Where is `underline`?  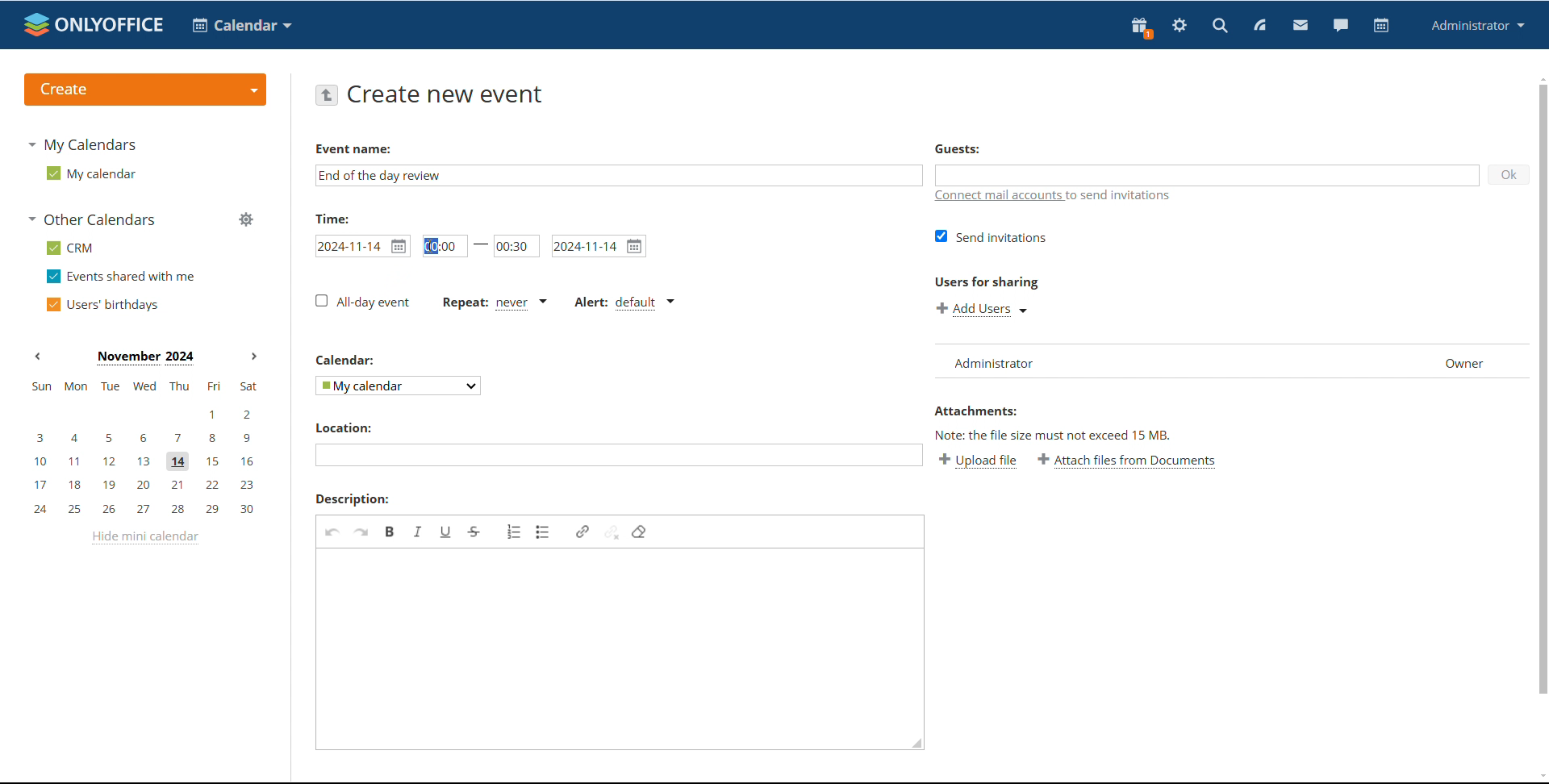
underline is located at coordinates (446, 532).